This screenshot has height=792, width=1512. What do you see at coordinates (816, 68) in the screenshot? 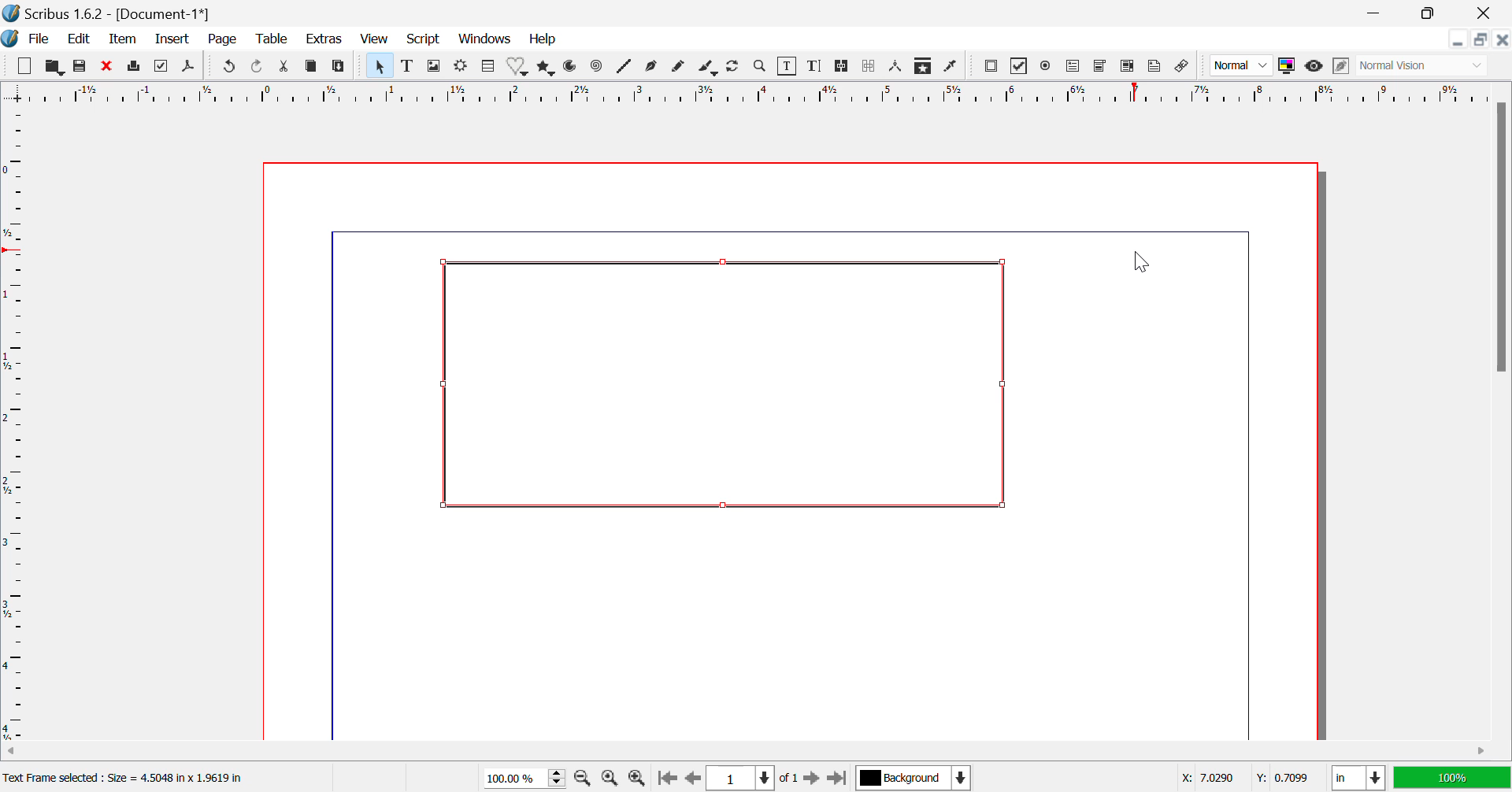
I see `Edit Text with Story Editor` at bounding box center [816, 68].